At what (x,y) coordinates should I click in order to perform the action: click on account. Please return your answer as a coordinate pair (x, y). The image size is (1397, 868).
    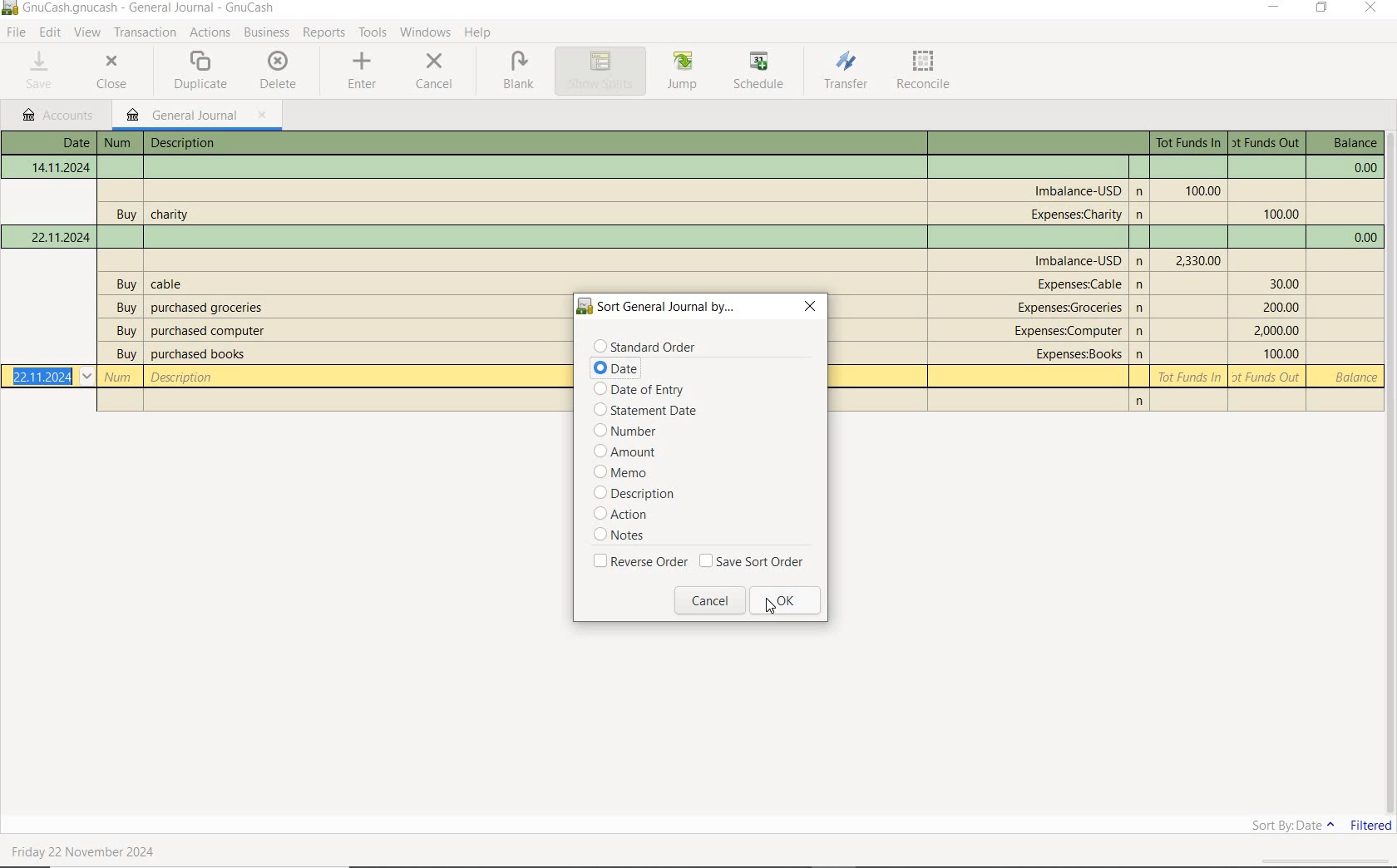
    Looking at the image, I should click on (1076, 215).